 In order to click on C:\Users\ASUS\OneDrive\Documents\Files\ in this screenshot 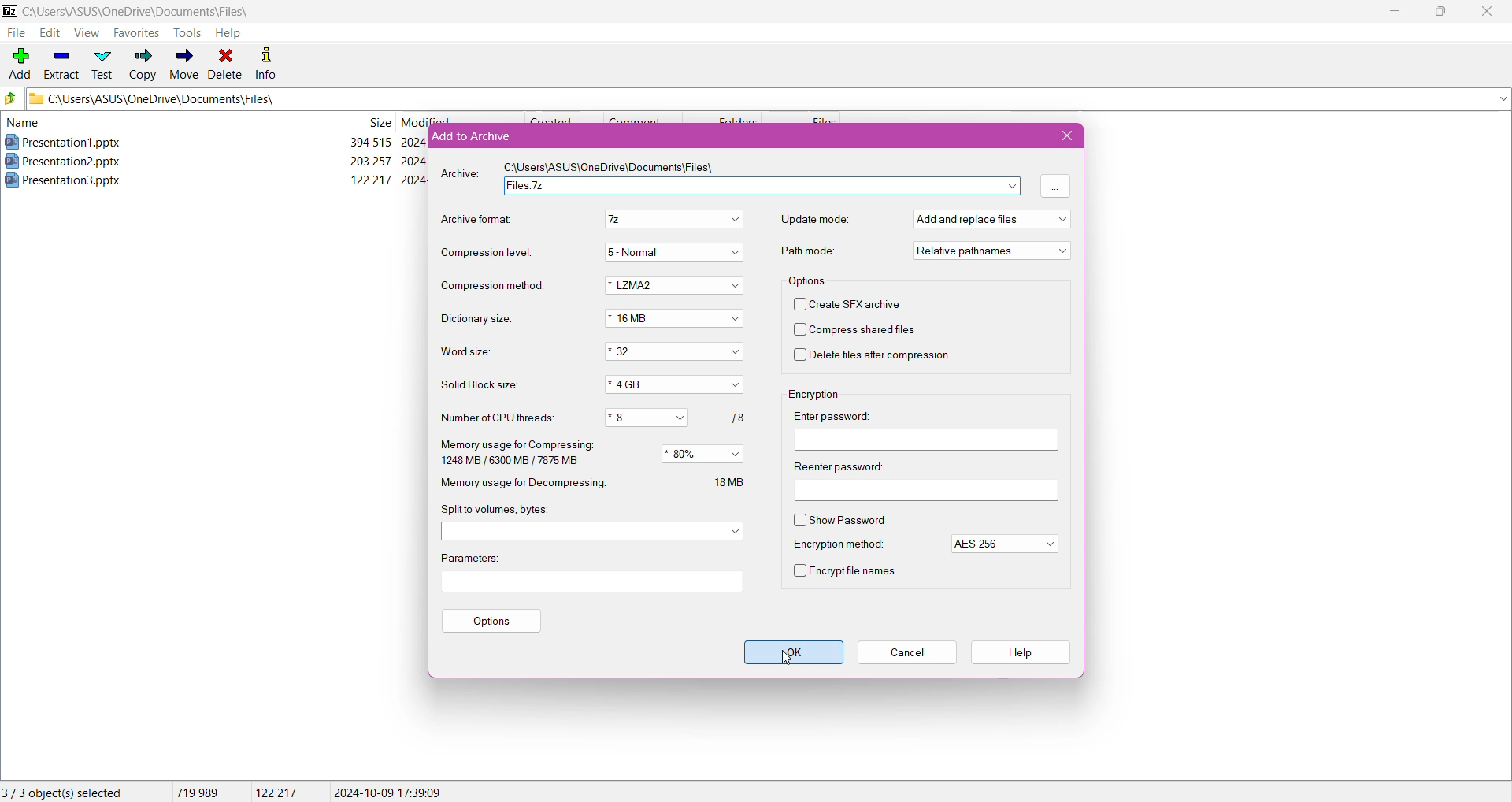, I will do `click(610, 169)`.